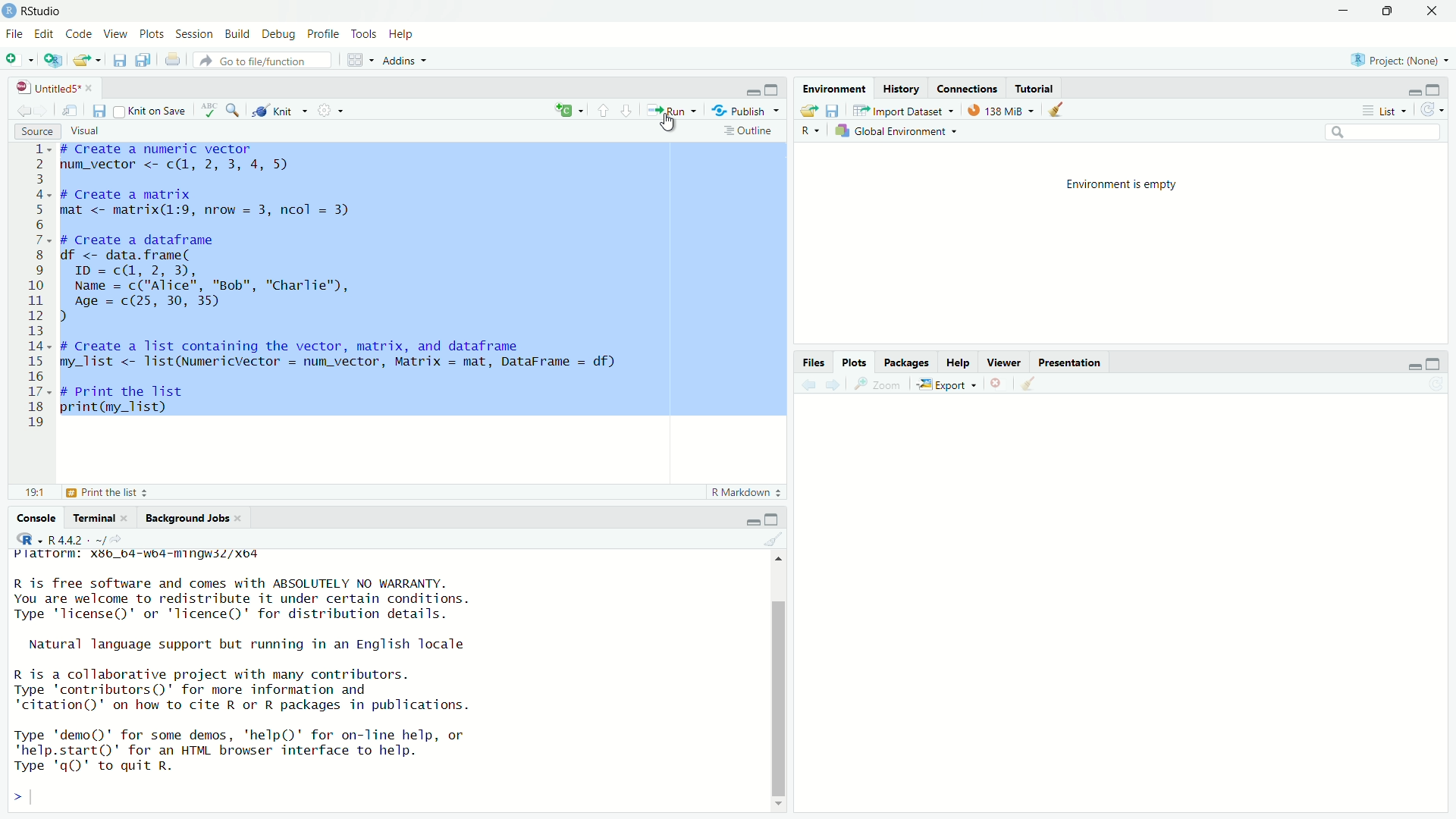 This screenshot has height=819, width=1456. What do you see at coordinates (673, 111) in the screenshot?
I see `Run` at bounding box center [673, 111].